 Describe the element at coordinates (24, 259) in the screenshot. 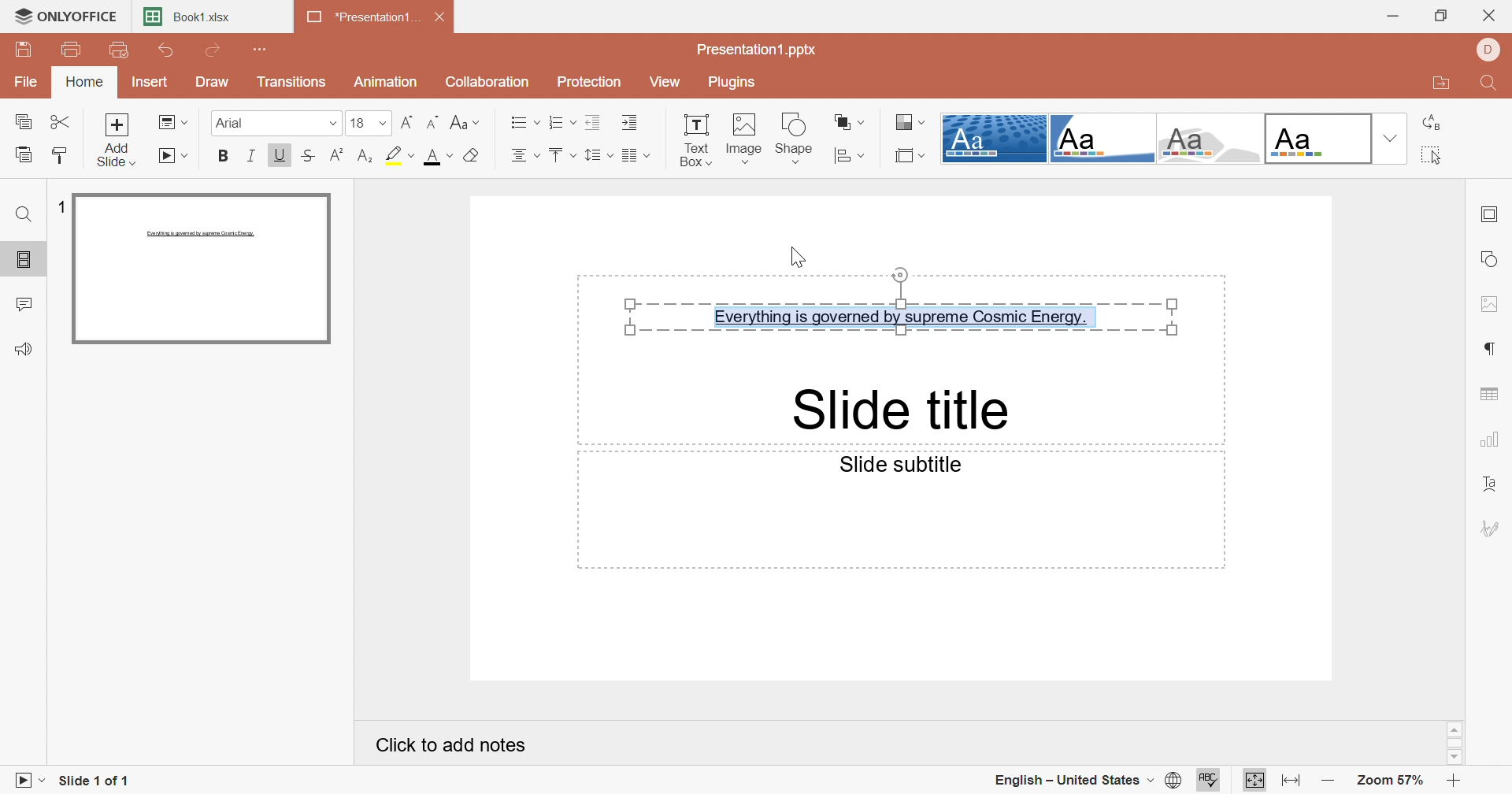

I see `Slides` at that location.